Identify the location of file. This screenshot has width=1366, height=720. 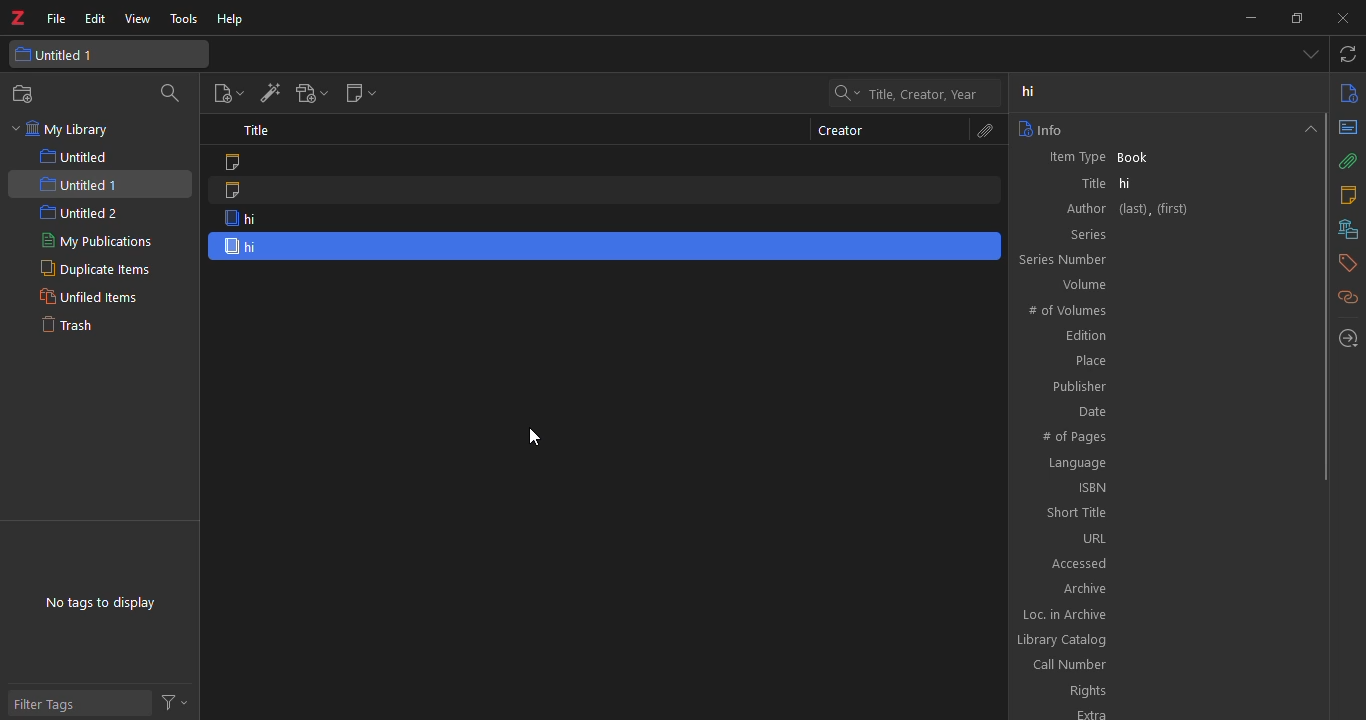
(55, 19).